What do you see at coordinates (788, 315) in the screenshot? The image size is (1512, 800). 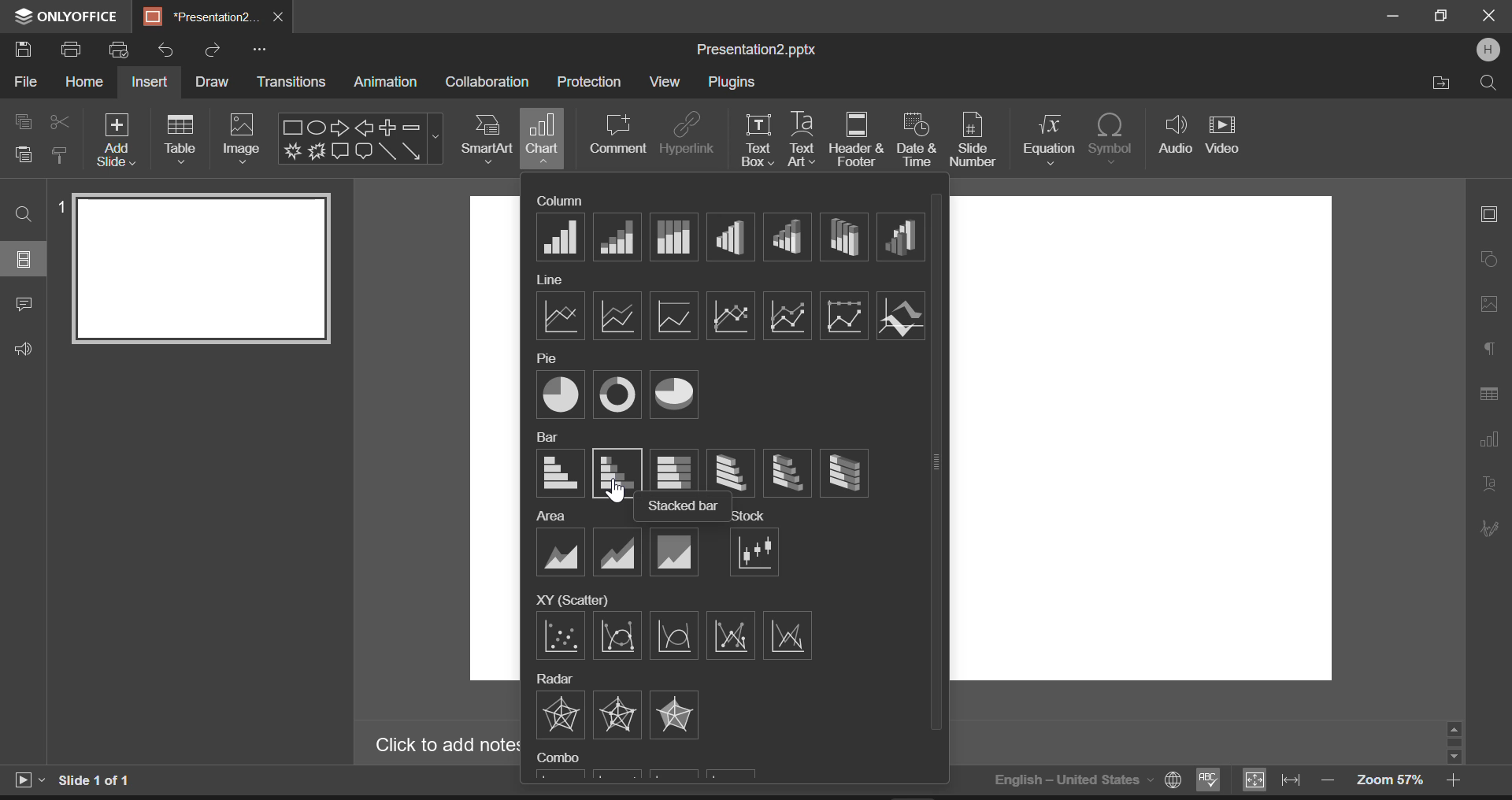 I see `Stacked Line with markers` at bounding box center [788, 315].